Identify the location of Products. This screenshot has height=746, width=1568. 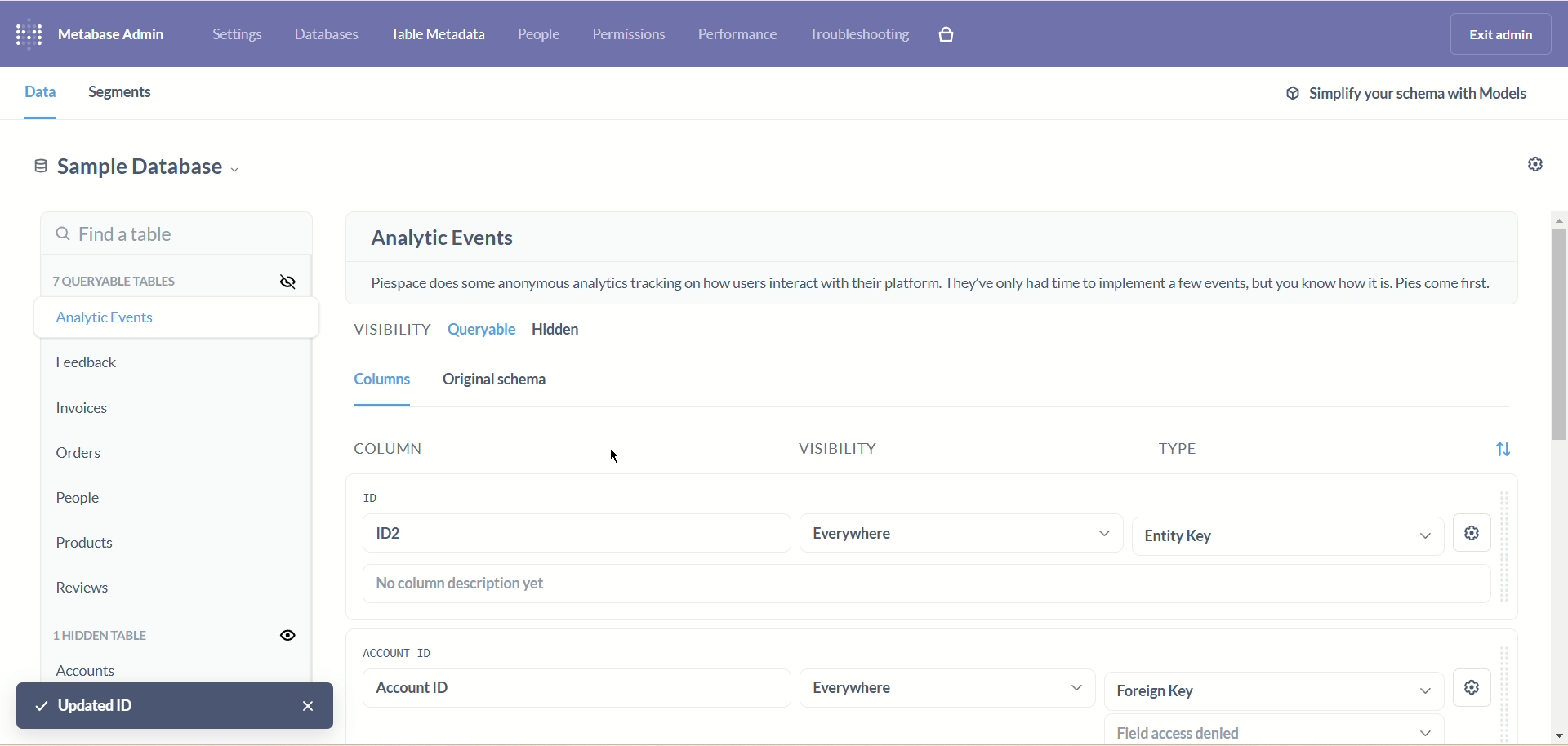
(105, 543).